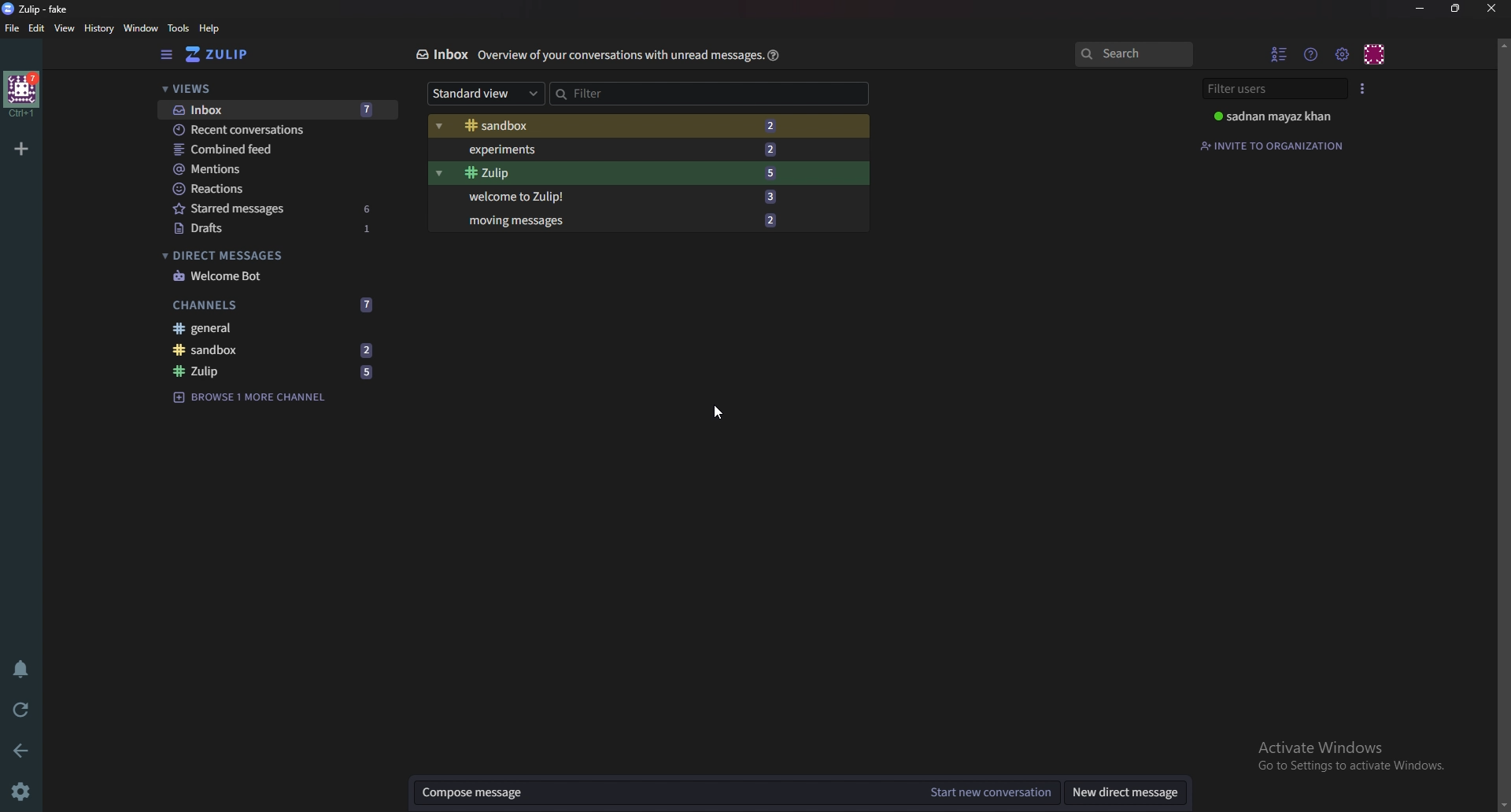 The width and height of the screenshot is (1511, 812). Describe the element at coordinates (623, 94) in the screenshot. I see `Filter` at that location.